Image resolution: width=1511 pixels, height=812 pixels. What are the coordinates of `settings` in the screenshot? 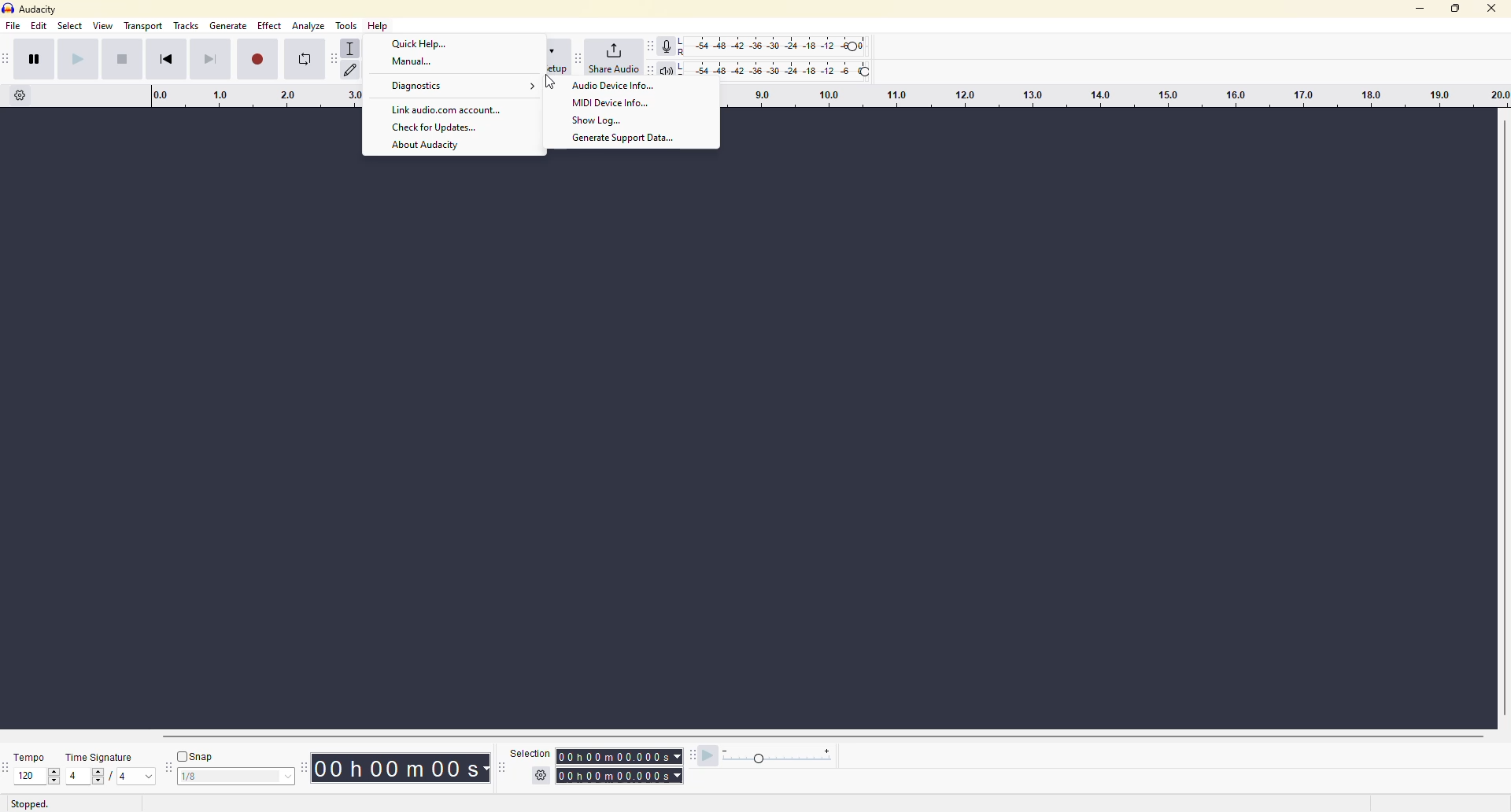 It's located at (538, 776).